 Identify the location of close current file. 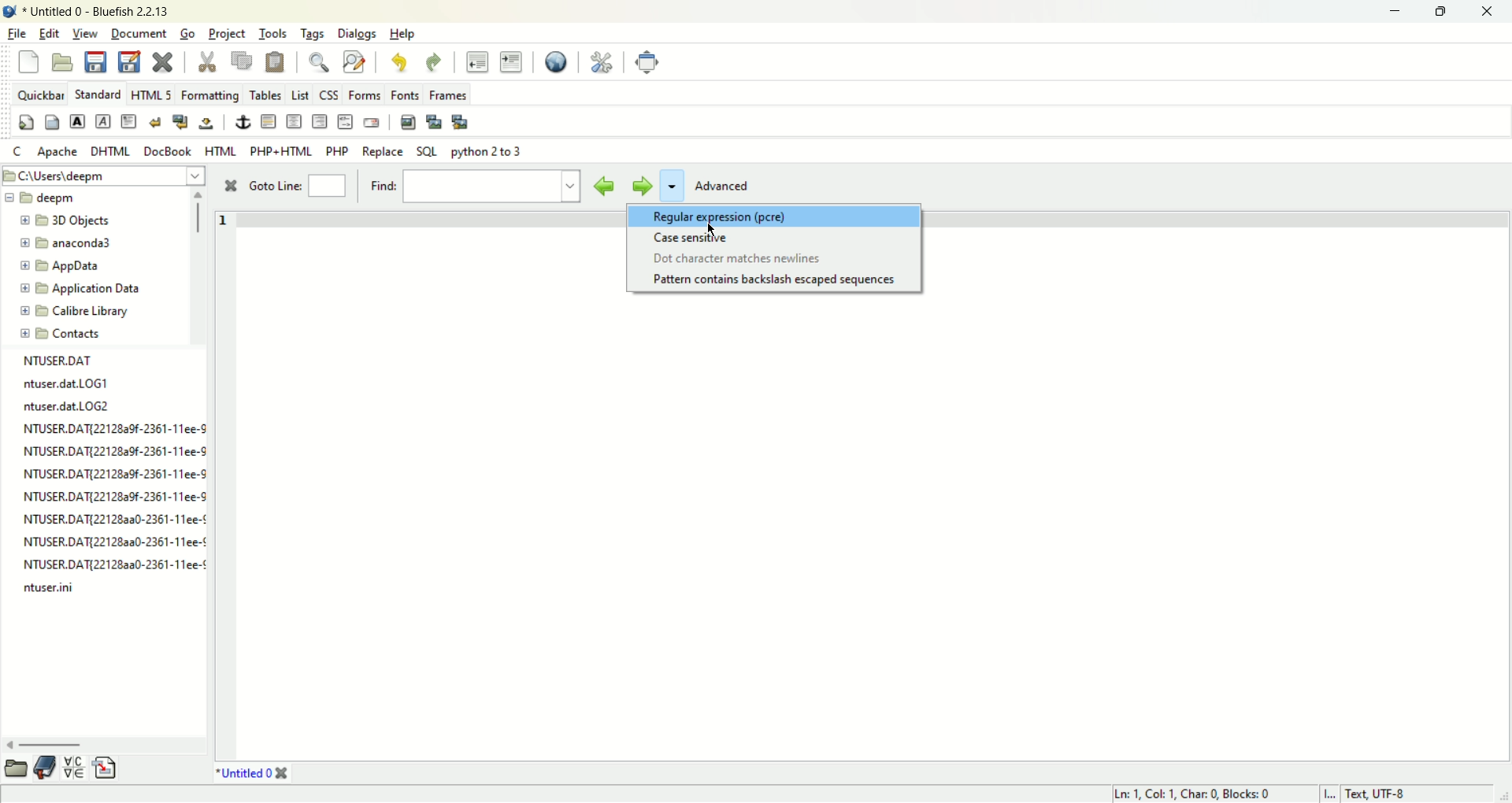
(163, 62).